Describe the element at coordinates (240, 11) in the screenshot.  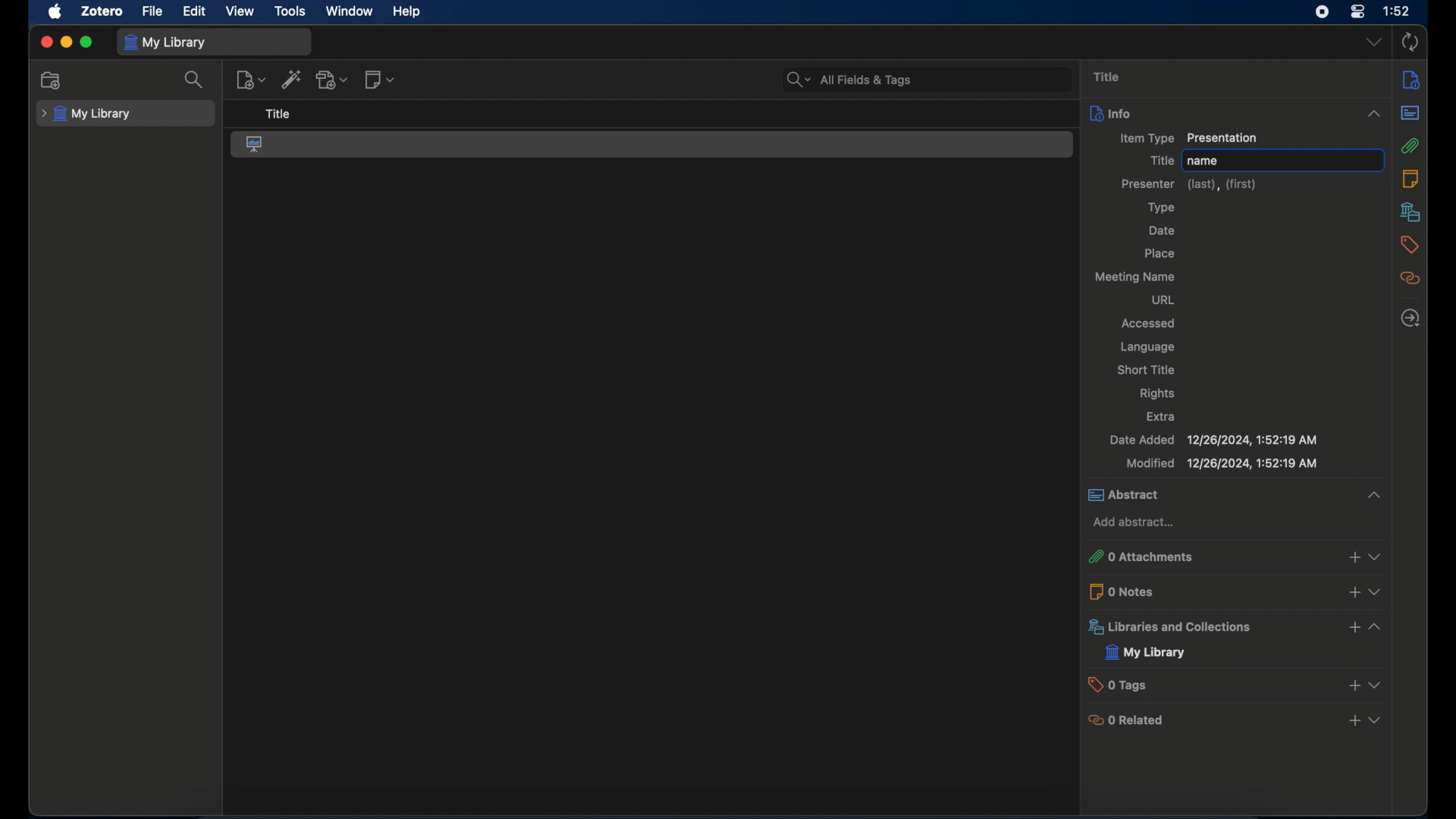
I see `view` at that location.